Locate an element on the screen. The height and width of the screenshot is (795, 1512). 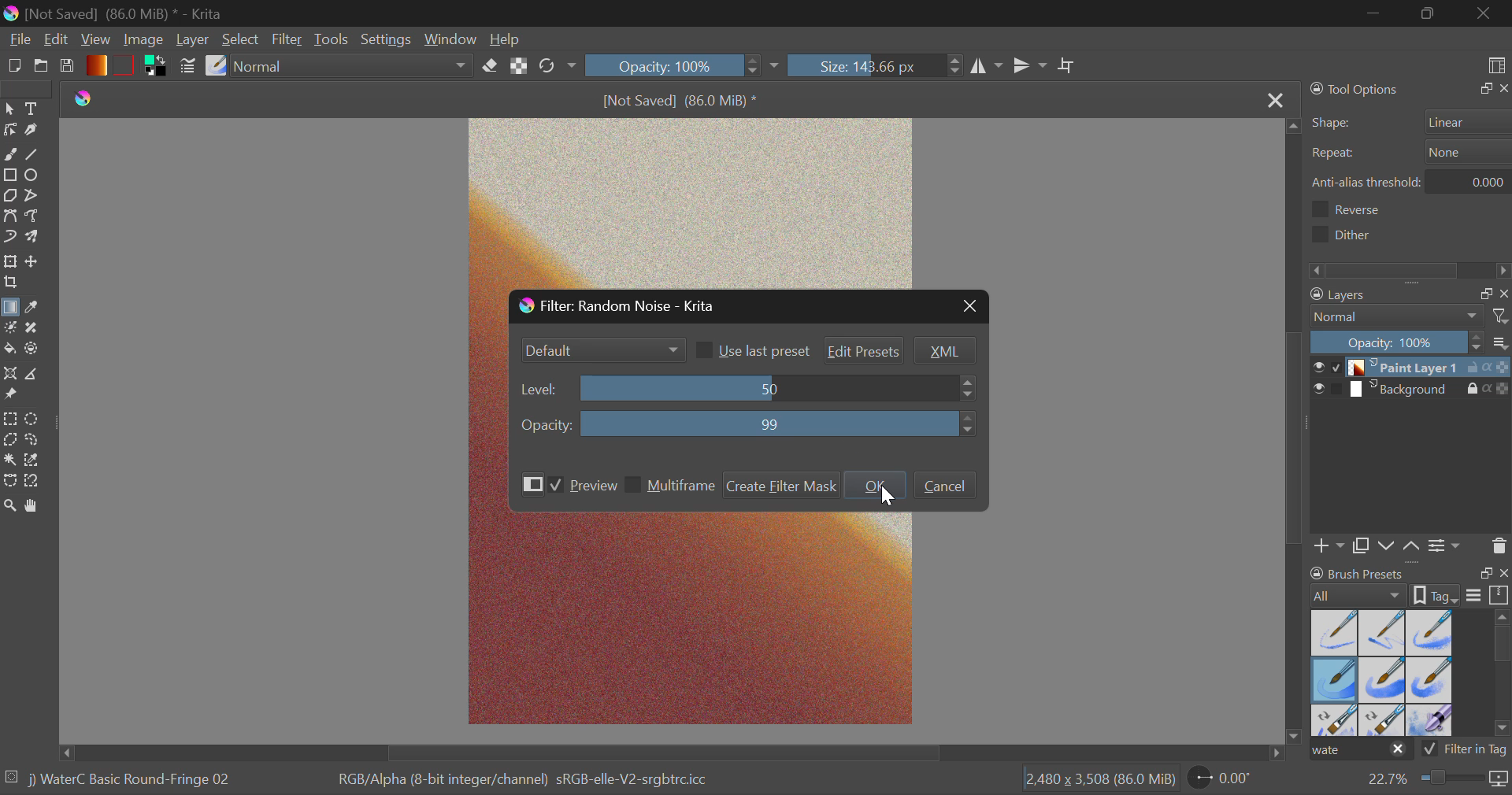
horizontal scrollbar is located at coordinates (1411, 269).